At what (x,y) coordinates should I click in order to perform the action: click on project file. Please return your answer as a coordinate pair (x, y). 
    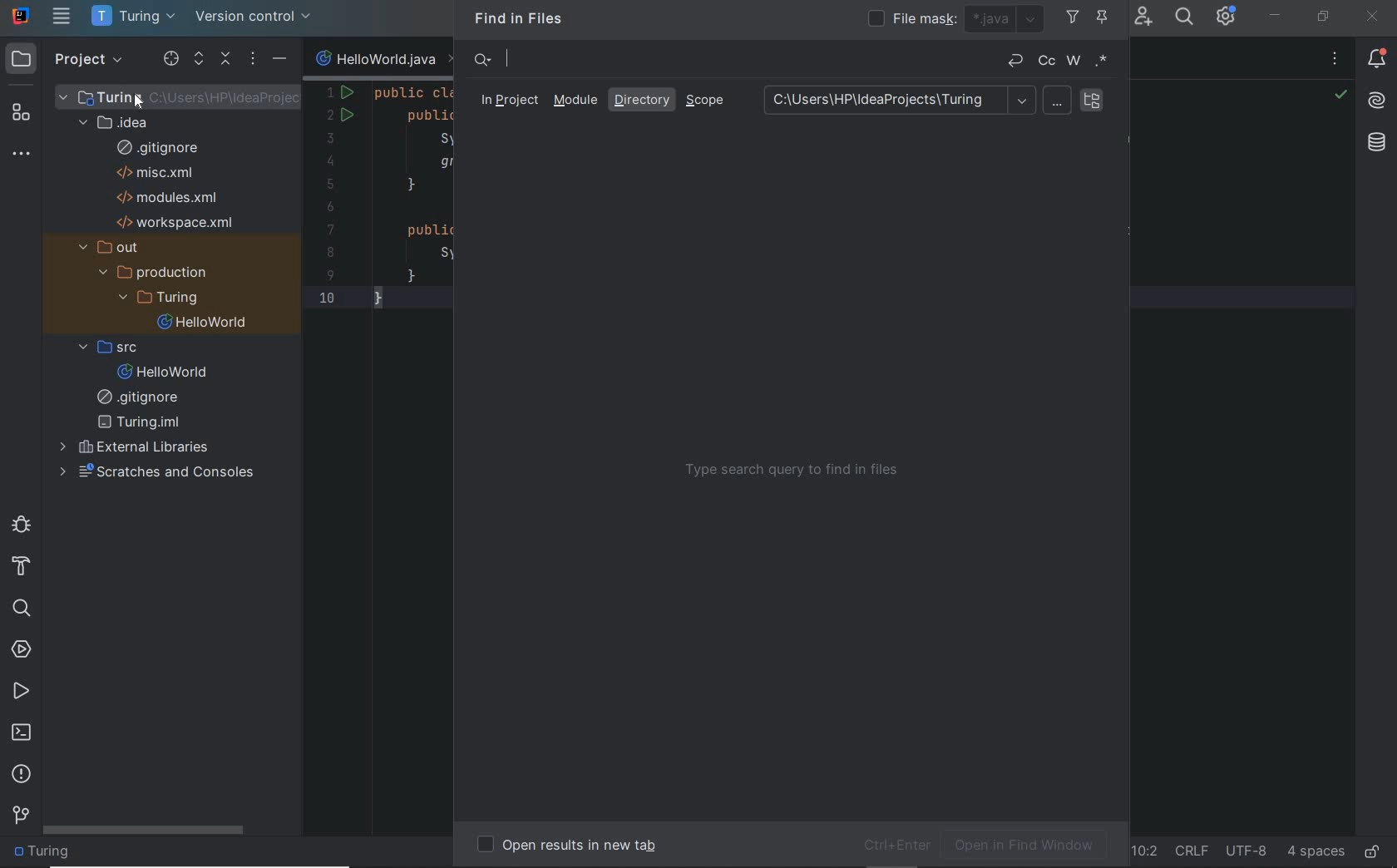
    Looking at the image, I should click on (233, 98).